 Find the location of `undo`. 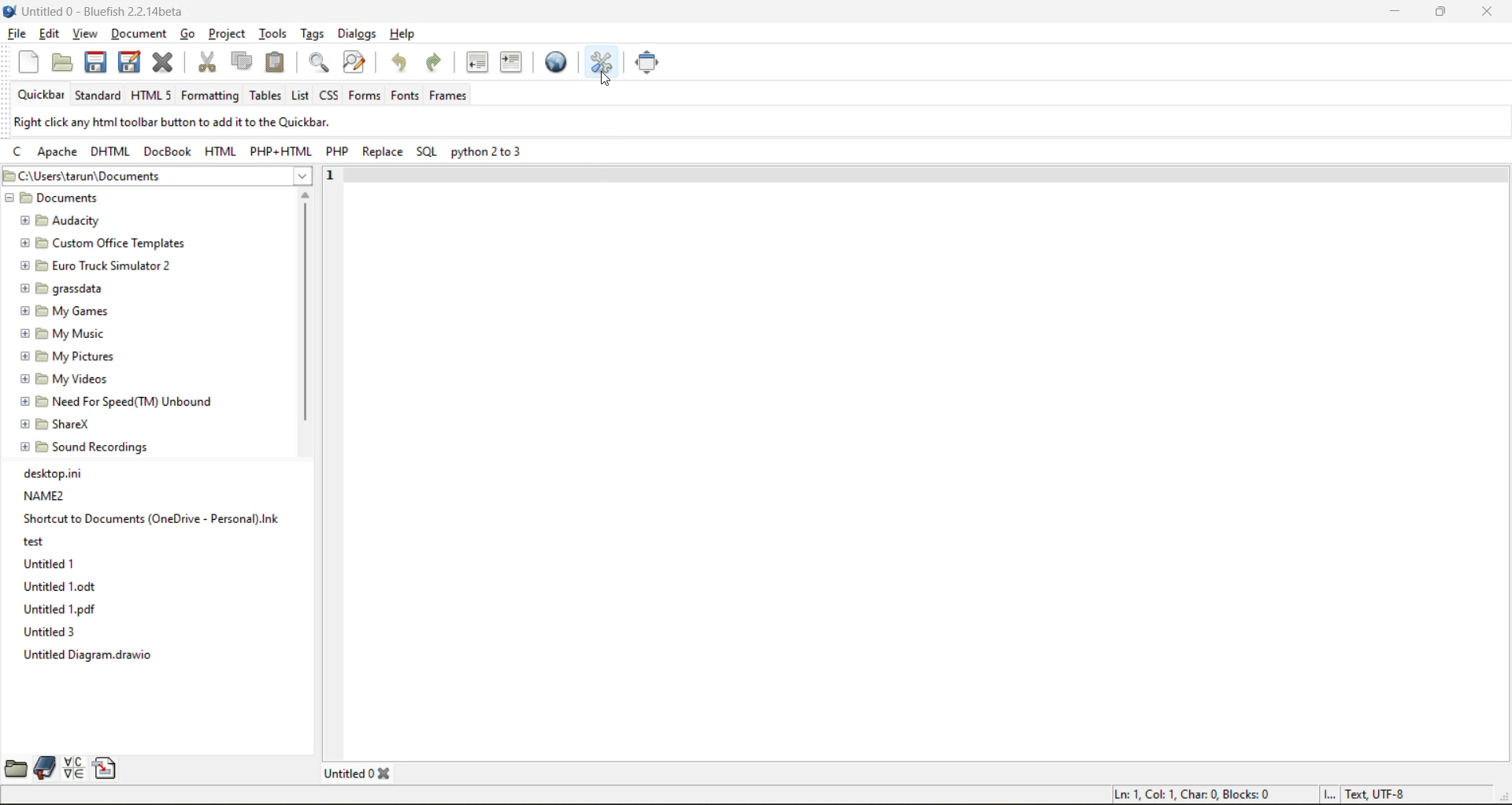

undo is located at coordinates (404, 63).